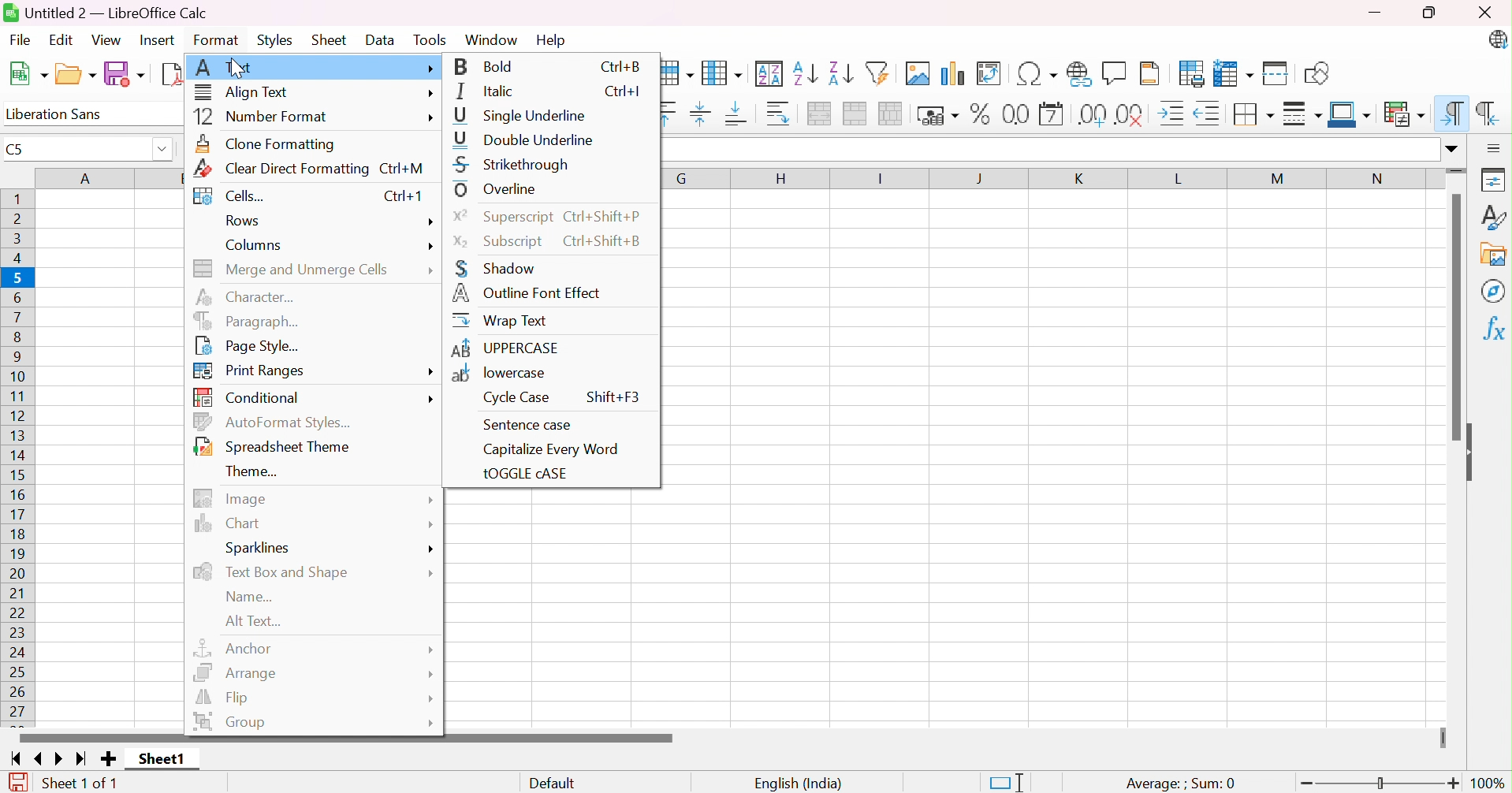  What do you see at coordinates (882, 72) in the screenshot?
I see `AutoFilter` at bounding box center [882, 72].